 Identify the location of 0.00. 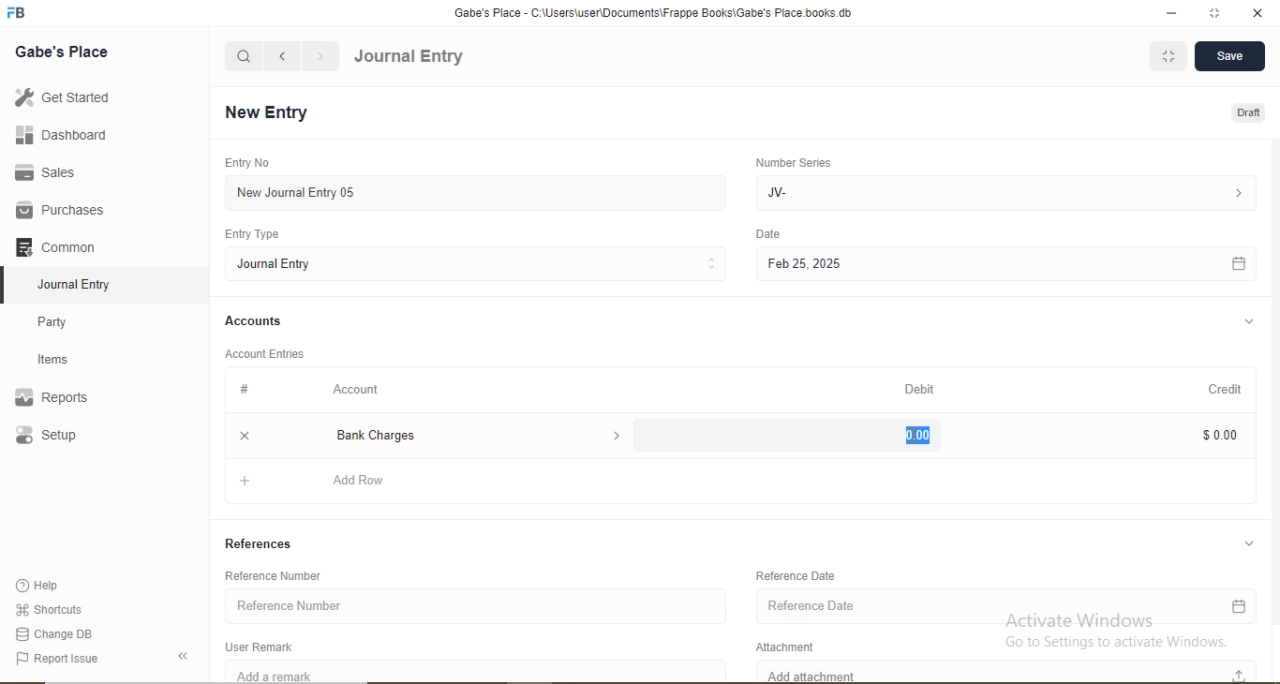
(910, 433).